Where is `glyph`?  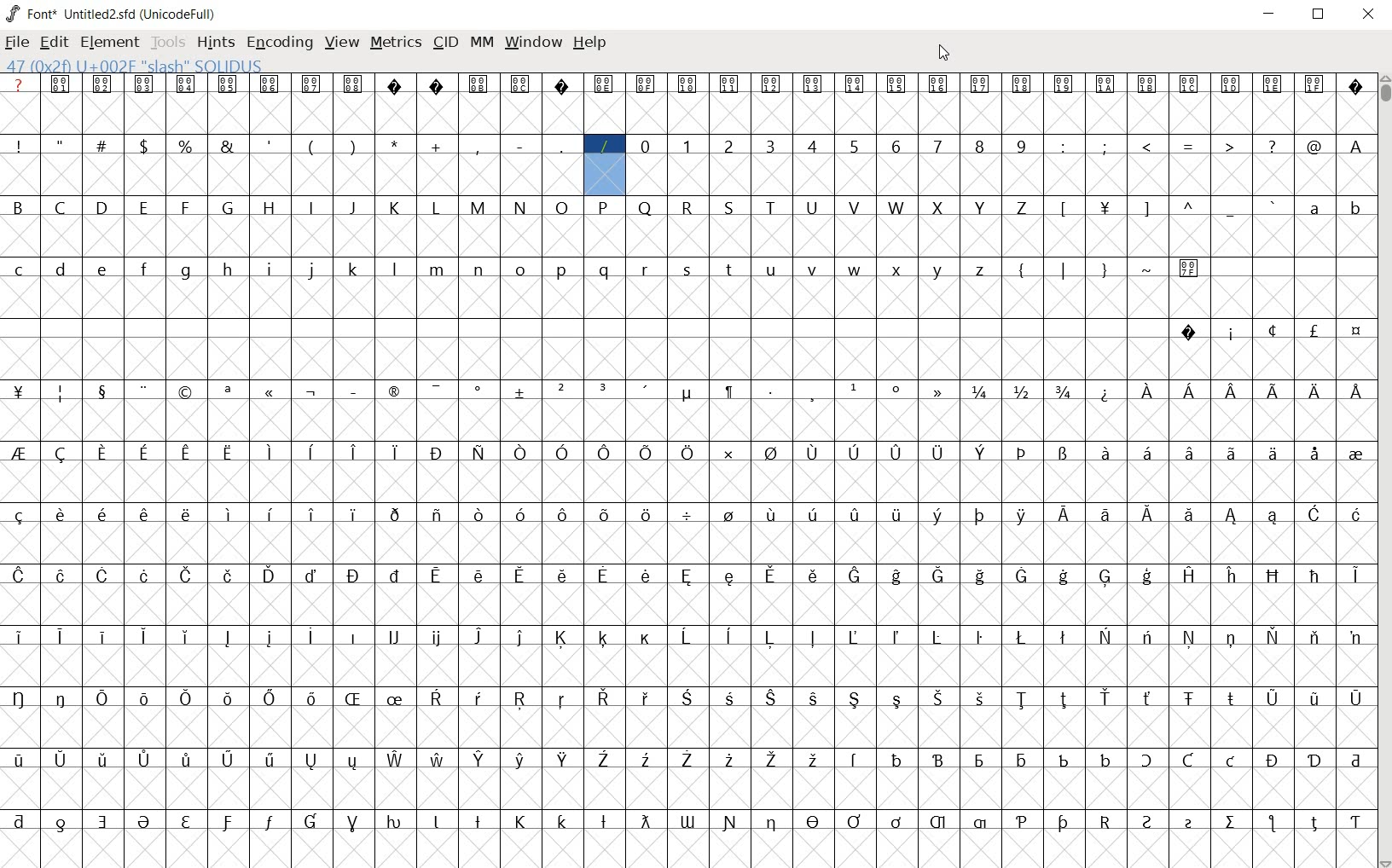
glyph is located at coordinates (143, 146).